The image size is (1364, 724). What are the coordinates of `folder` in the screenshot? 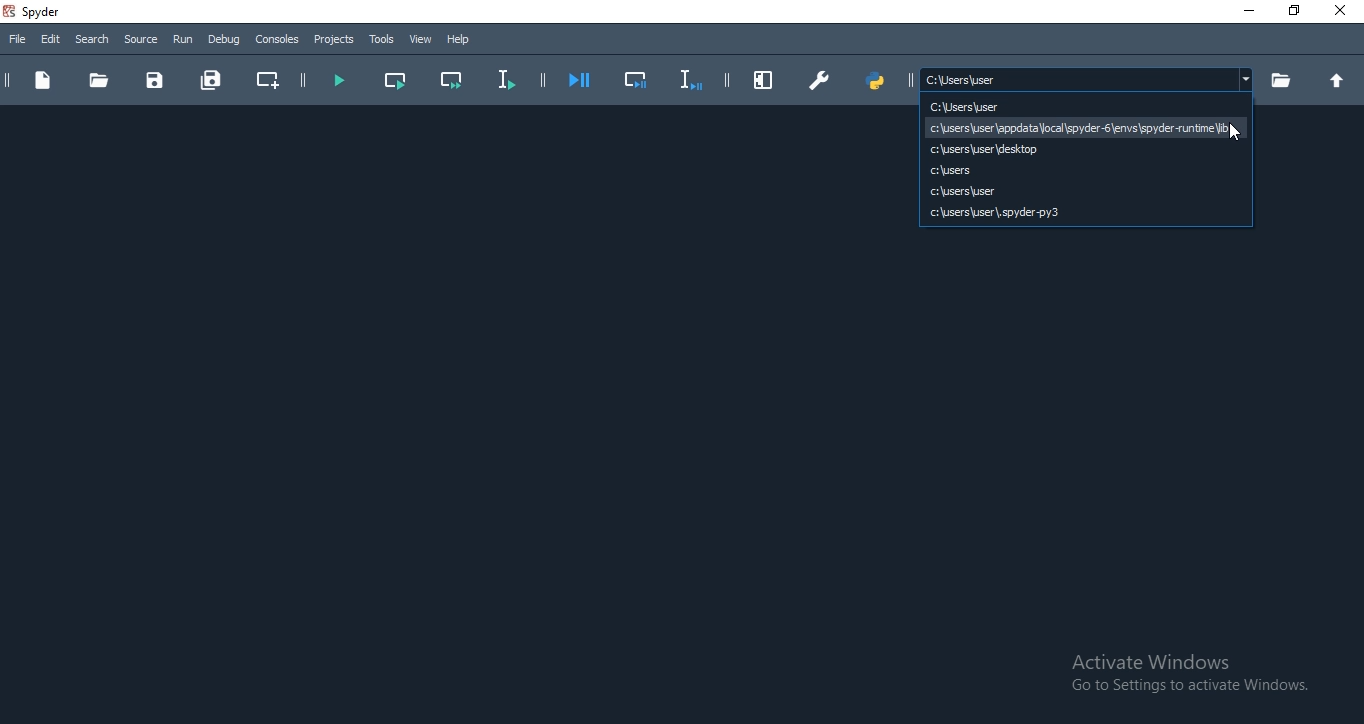 It's located at (1279, 80).